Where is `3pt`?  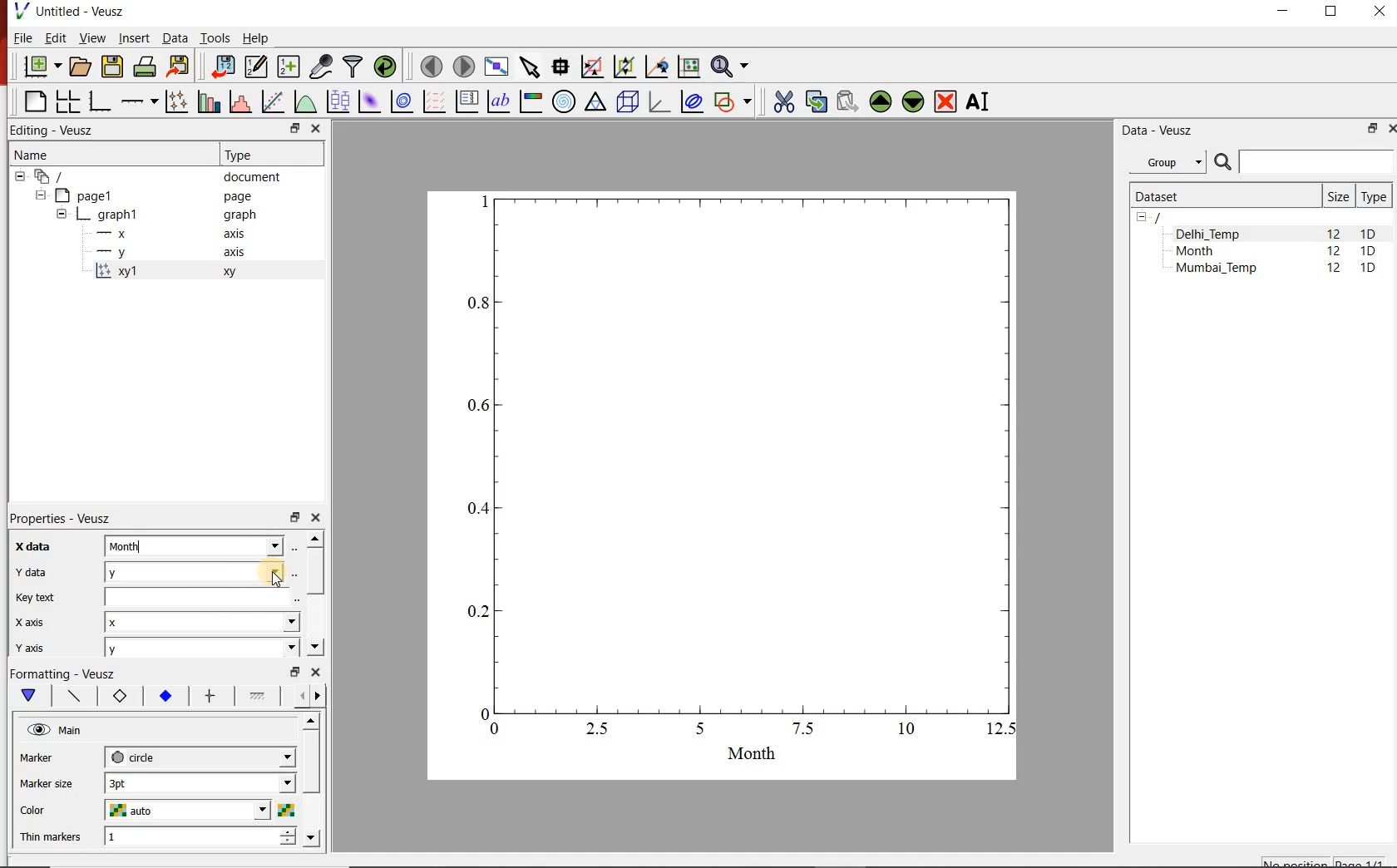 3pt is located at coordinates (200, 783).